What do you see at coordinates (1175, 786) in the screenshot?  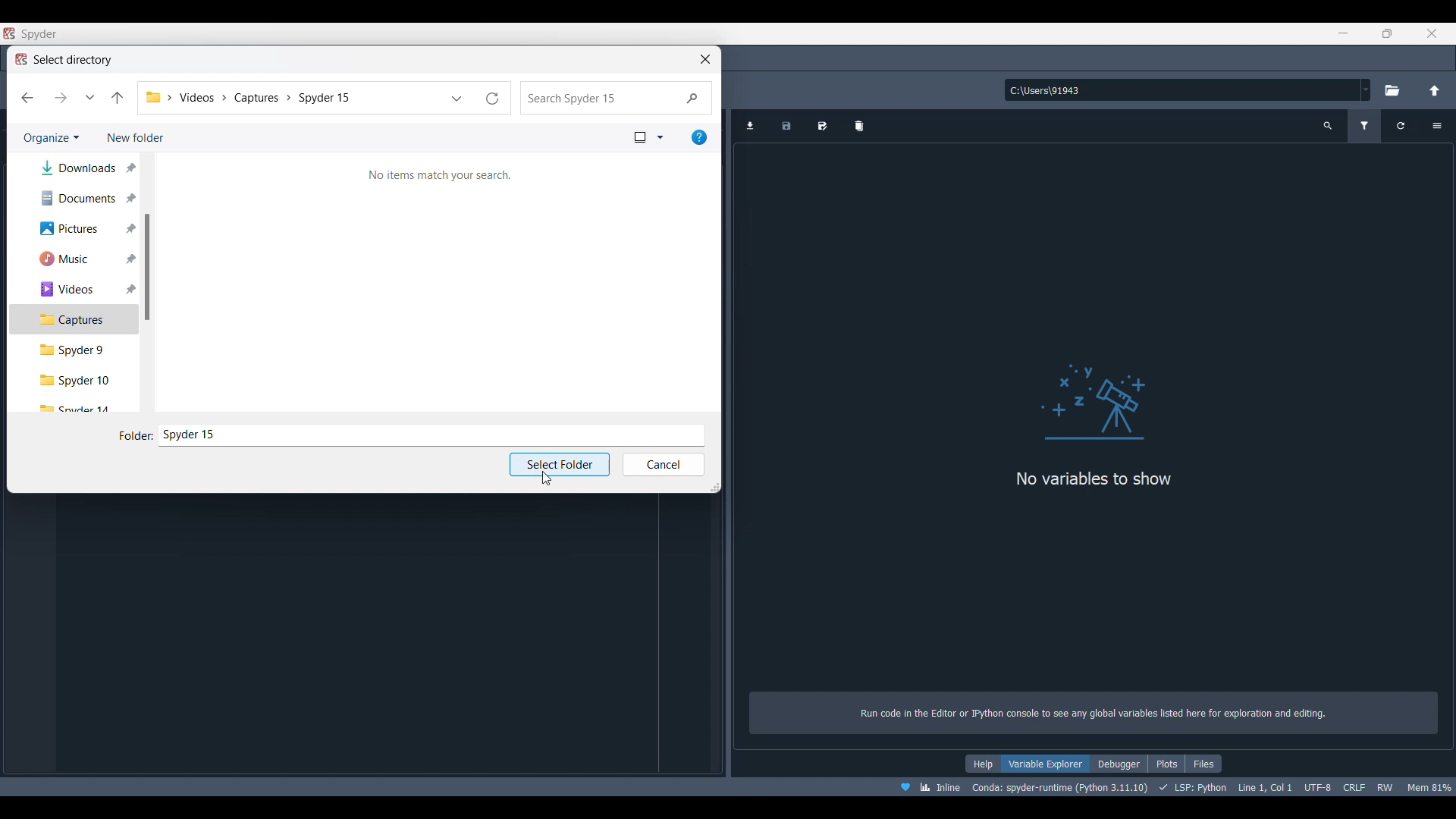 I see `Code details` at bounding box center [1175, 786].